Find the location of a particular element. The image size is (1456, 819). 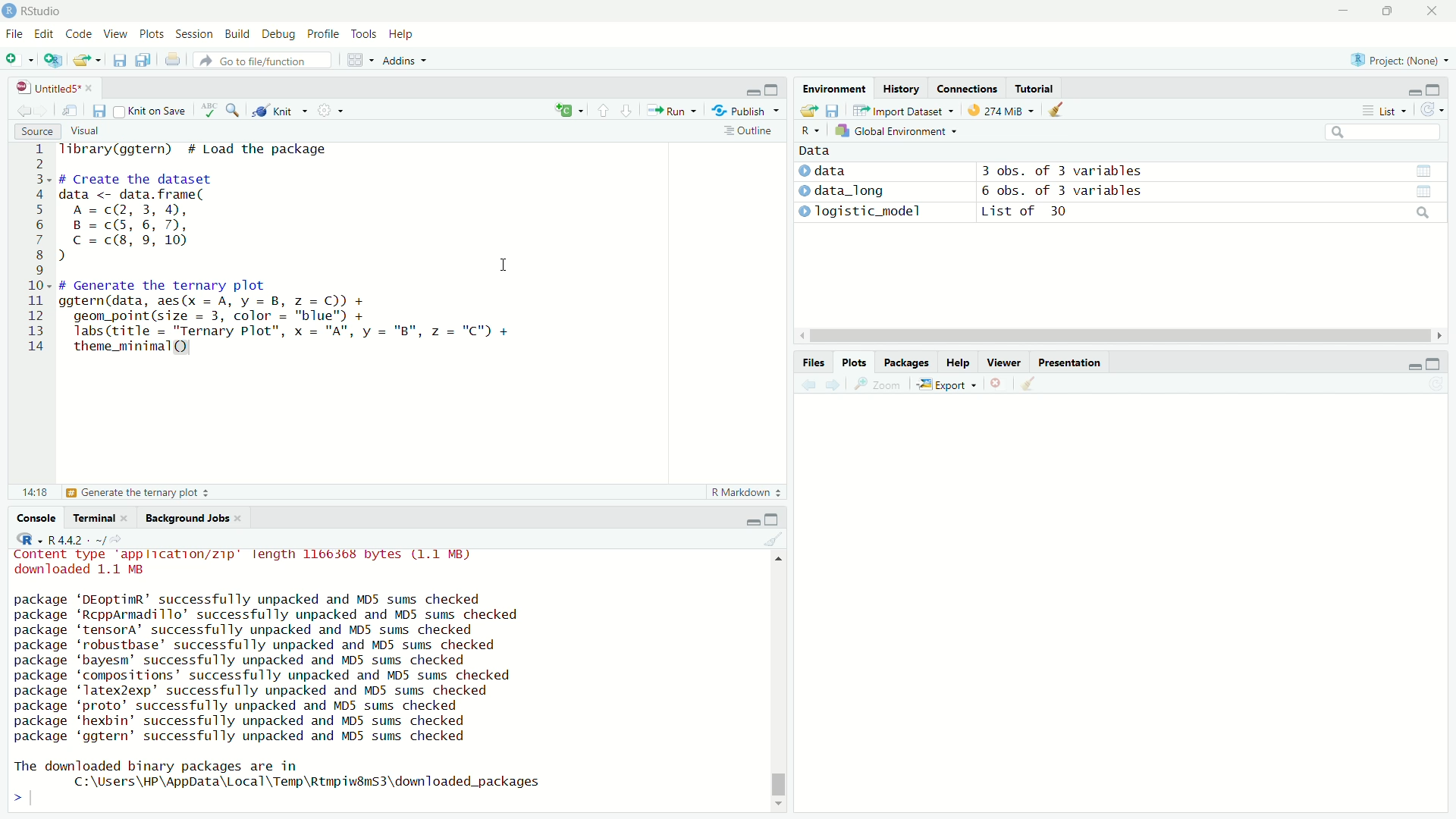

save is located at coordinates (118, 63).